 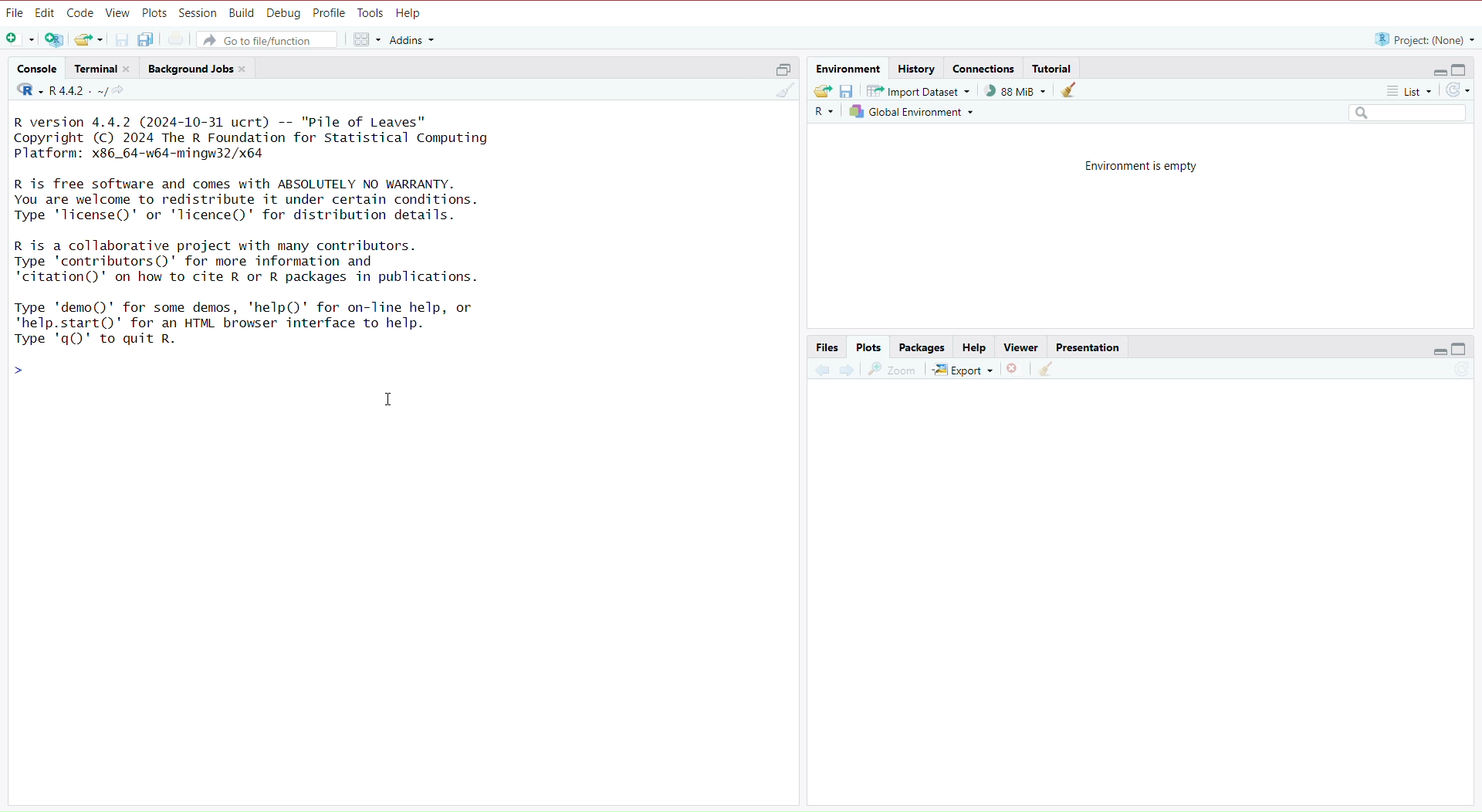 What do you see at coordinates (1453, 373) in the screenshot?
I see `refresh current plot` at bounding box center [1453, 373].